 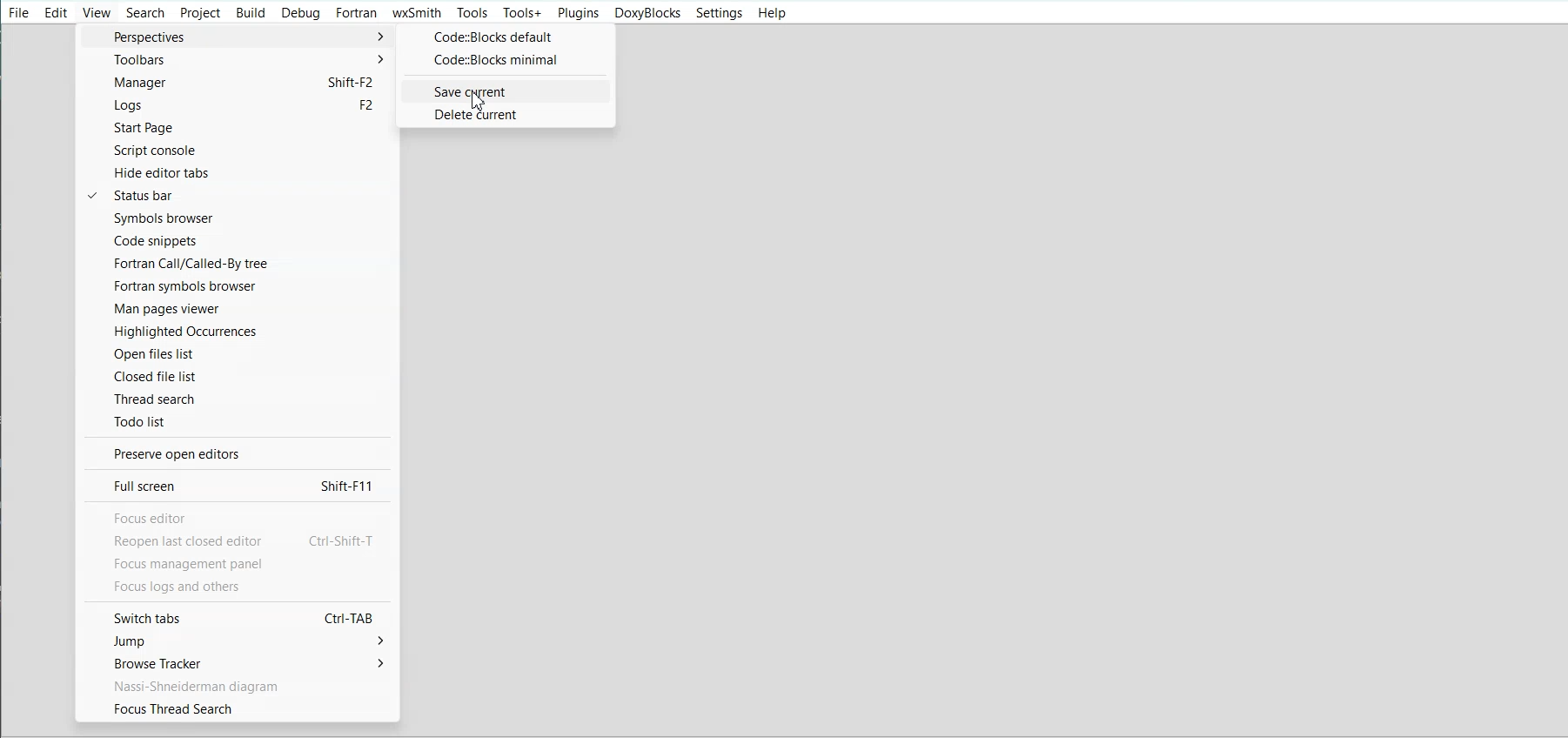 I want to click on Fortran, so click(x=357, y=13).